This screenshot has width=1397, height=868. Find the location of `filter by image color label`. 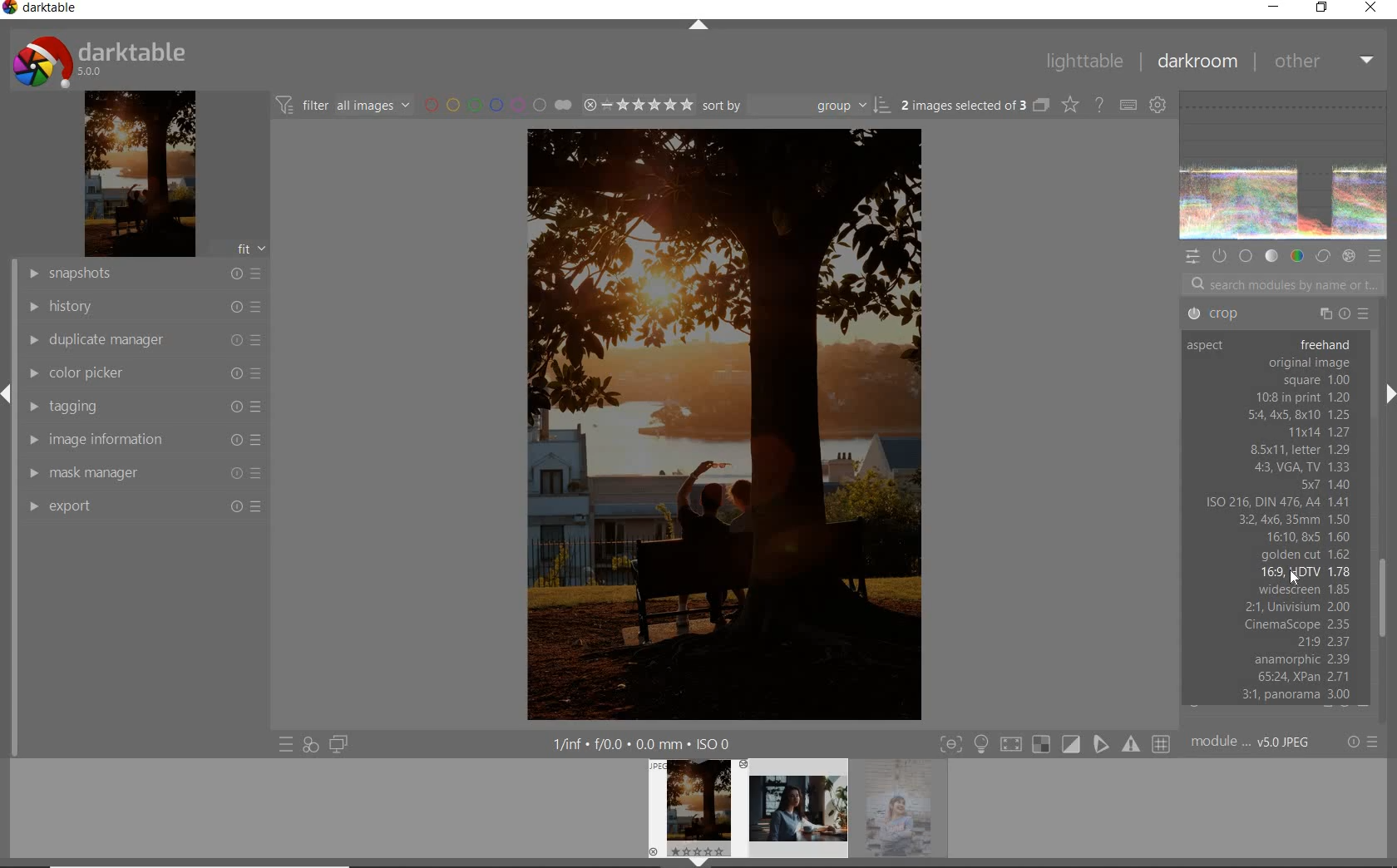

filter by image color label is located at coordinates (495, 104).